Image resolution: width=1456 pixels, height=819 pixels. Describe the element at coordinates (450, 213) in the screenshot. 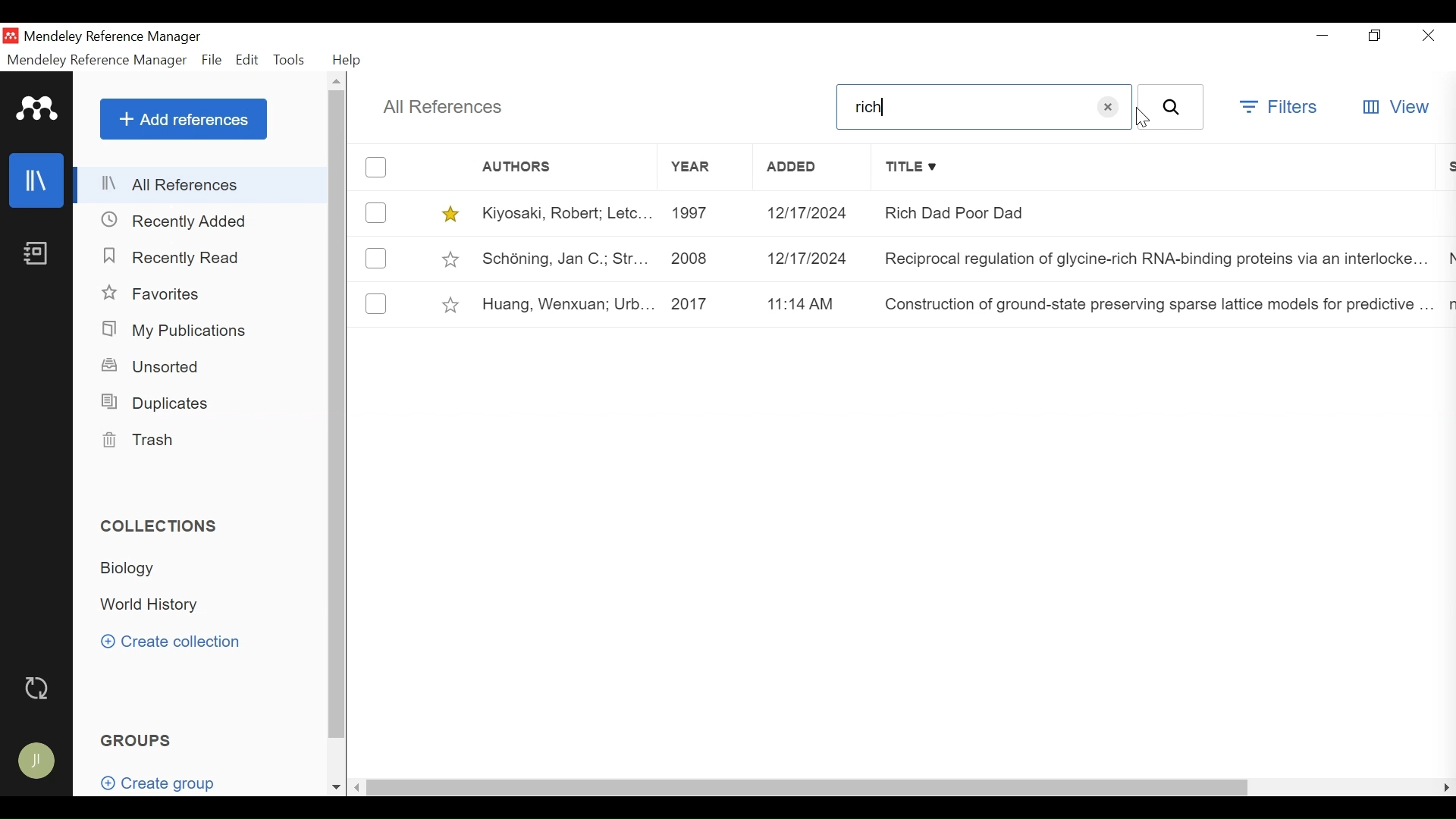

I see `Toggle Favorites` at that location.